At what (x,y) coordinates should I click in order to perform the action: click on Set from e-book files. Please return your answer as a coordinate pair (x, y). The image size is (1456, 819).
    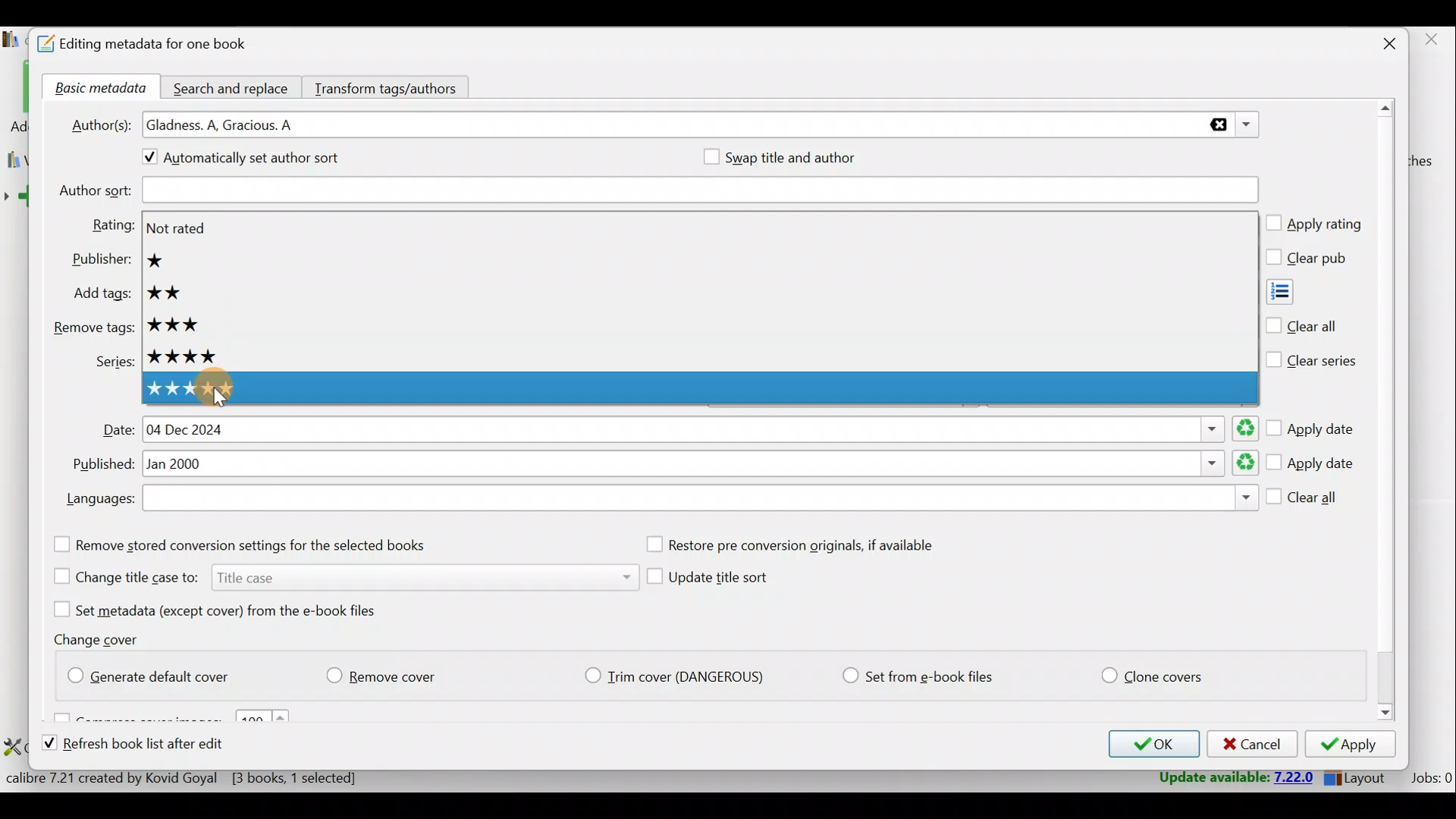
    Looking at the image, I should click on (917, 676).